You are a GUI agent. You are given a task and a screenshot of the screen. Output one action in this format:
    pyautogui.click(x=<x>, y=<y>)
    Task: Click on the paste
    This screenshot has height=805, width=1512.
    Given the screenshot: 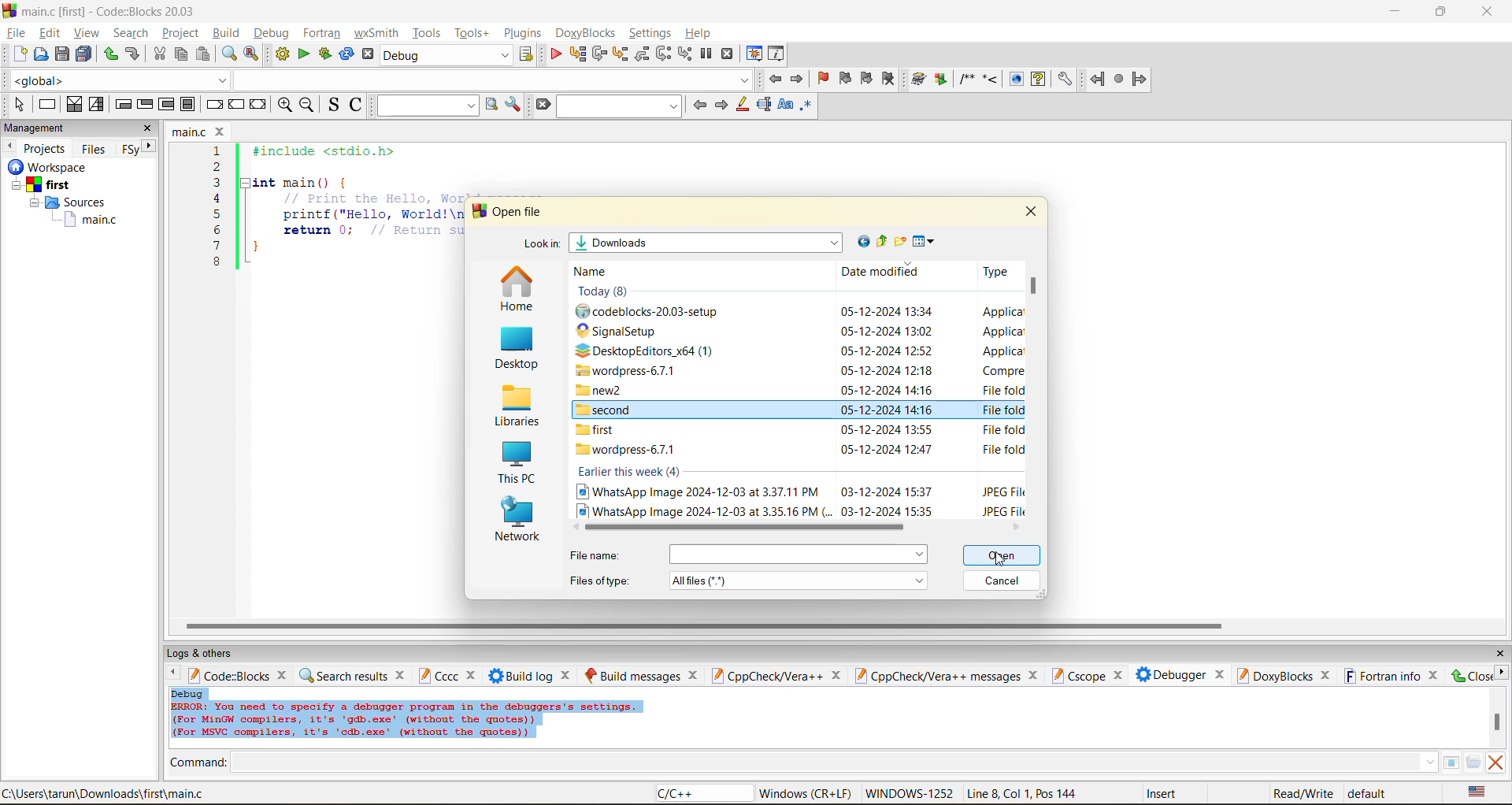 What is the action you would take?
    pyautogui.click(x=203, y=54)
    